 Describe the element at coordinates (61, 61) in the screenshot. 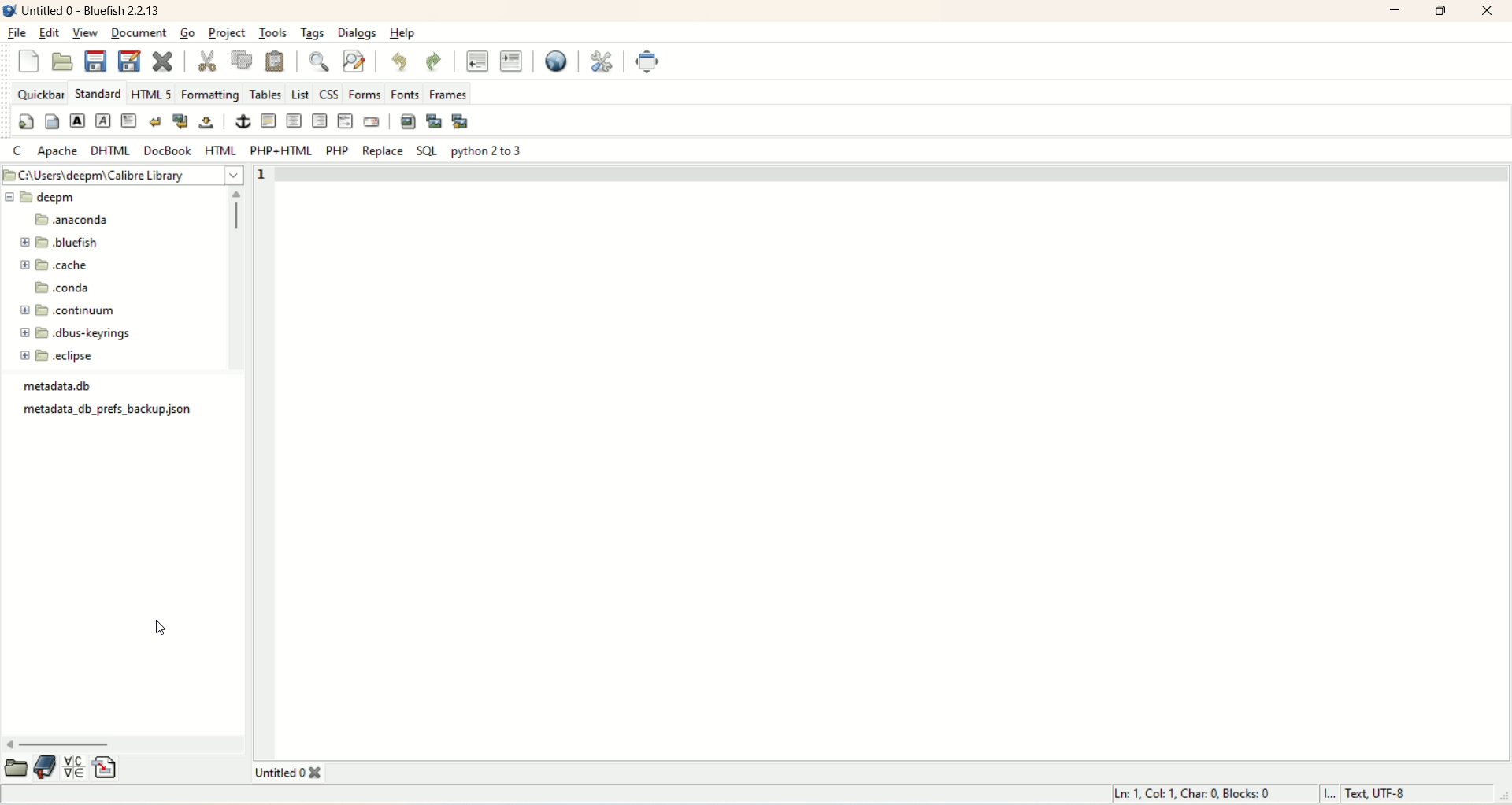

I see `open` at that location.